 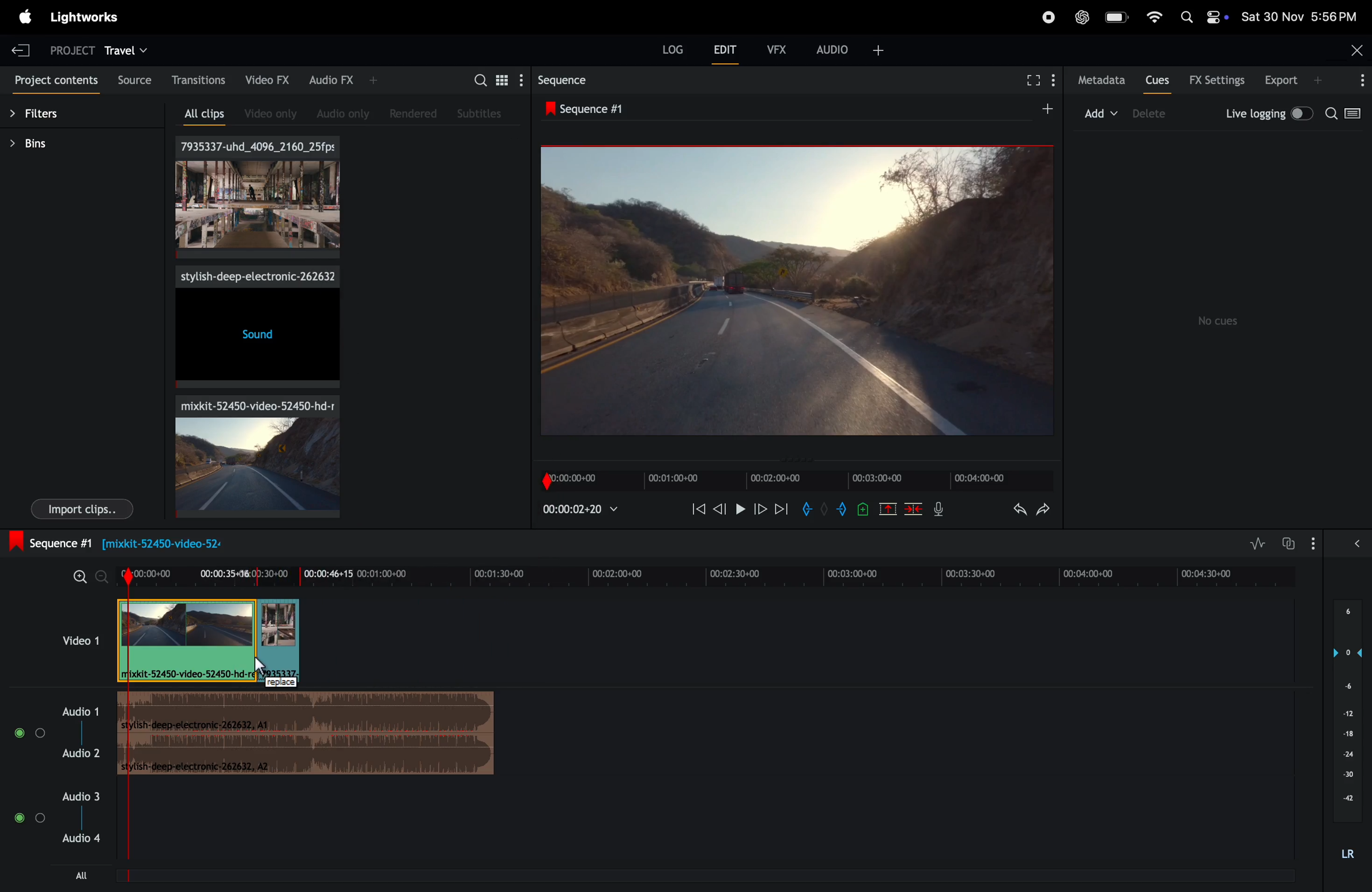 What do you see at coordinates (1039, 110) in the screenshot?
I see `add` at bounding box center [1039, 110].